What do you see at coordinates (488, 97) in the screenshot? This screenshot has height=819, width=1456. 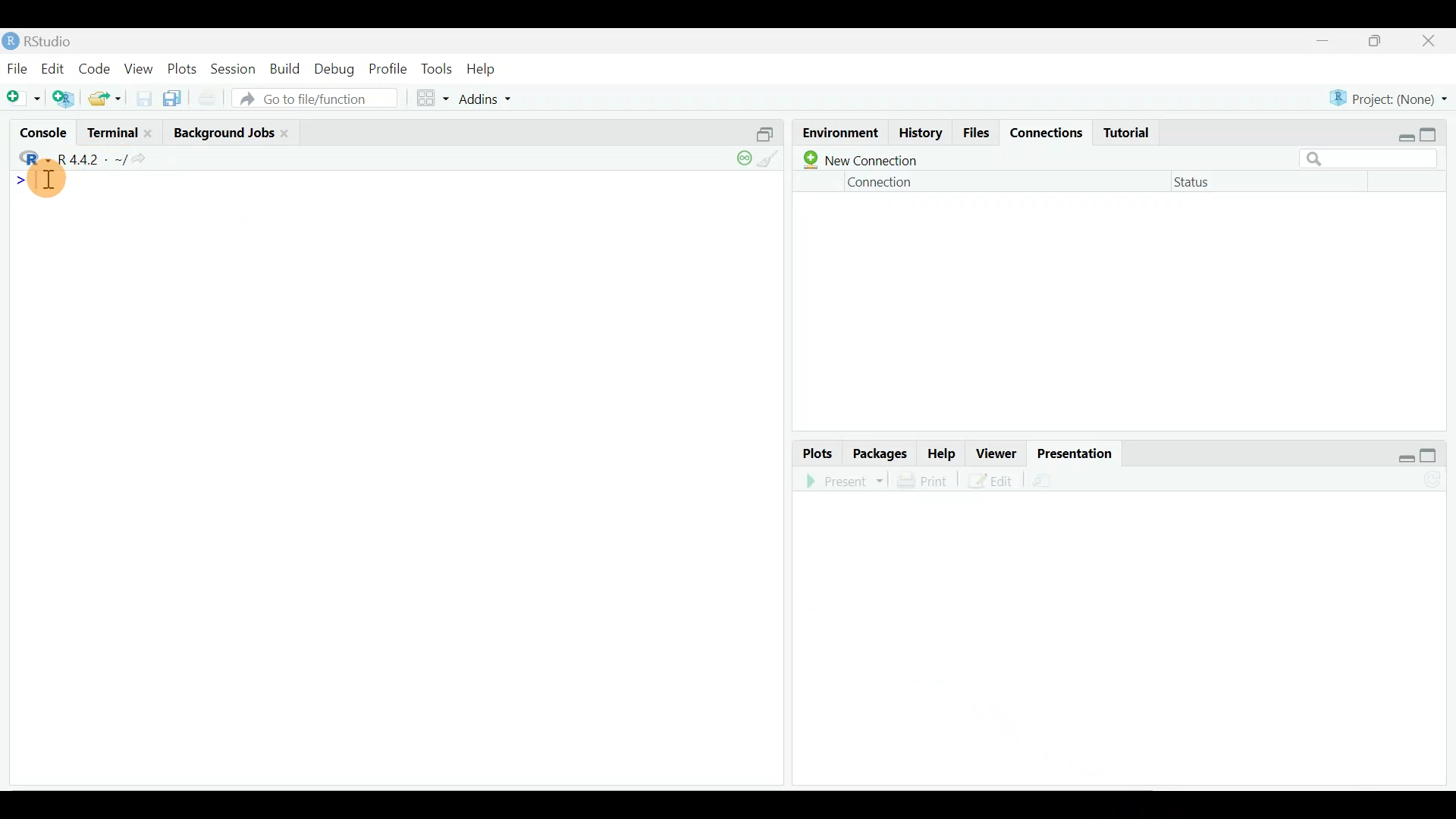 I see `Addins` at bounding box center [488, 97].